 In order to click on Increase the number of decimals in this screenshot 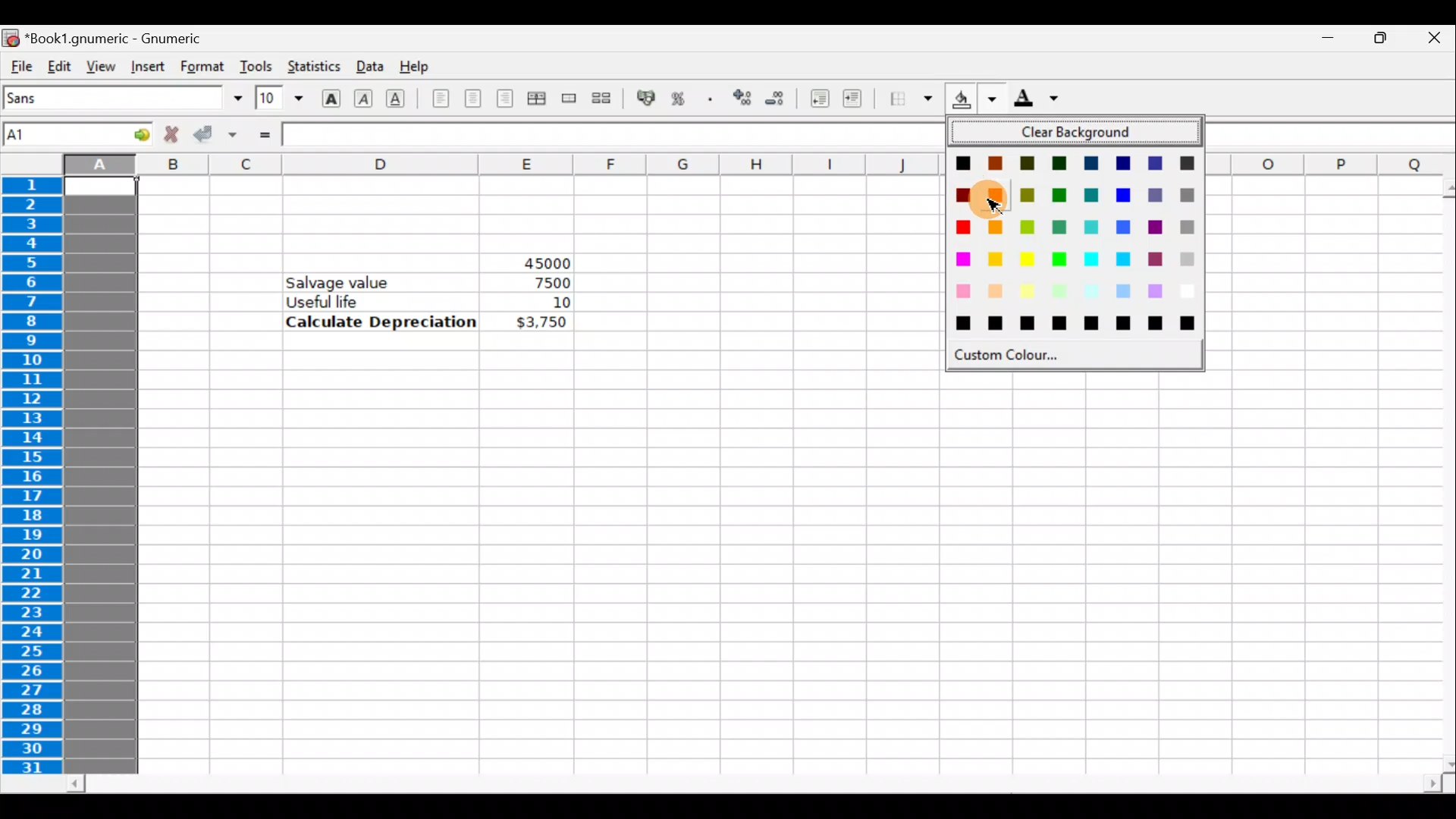, I will do `click(741, 99)`.